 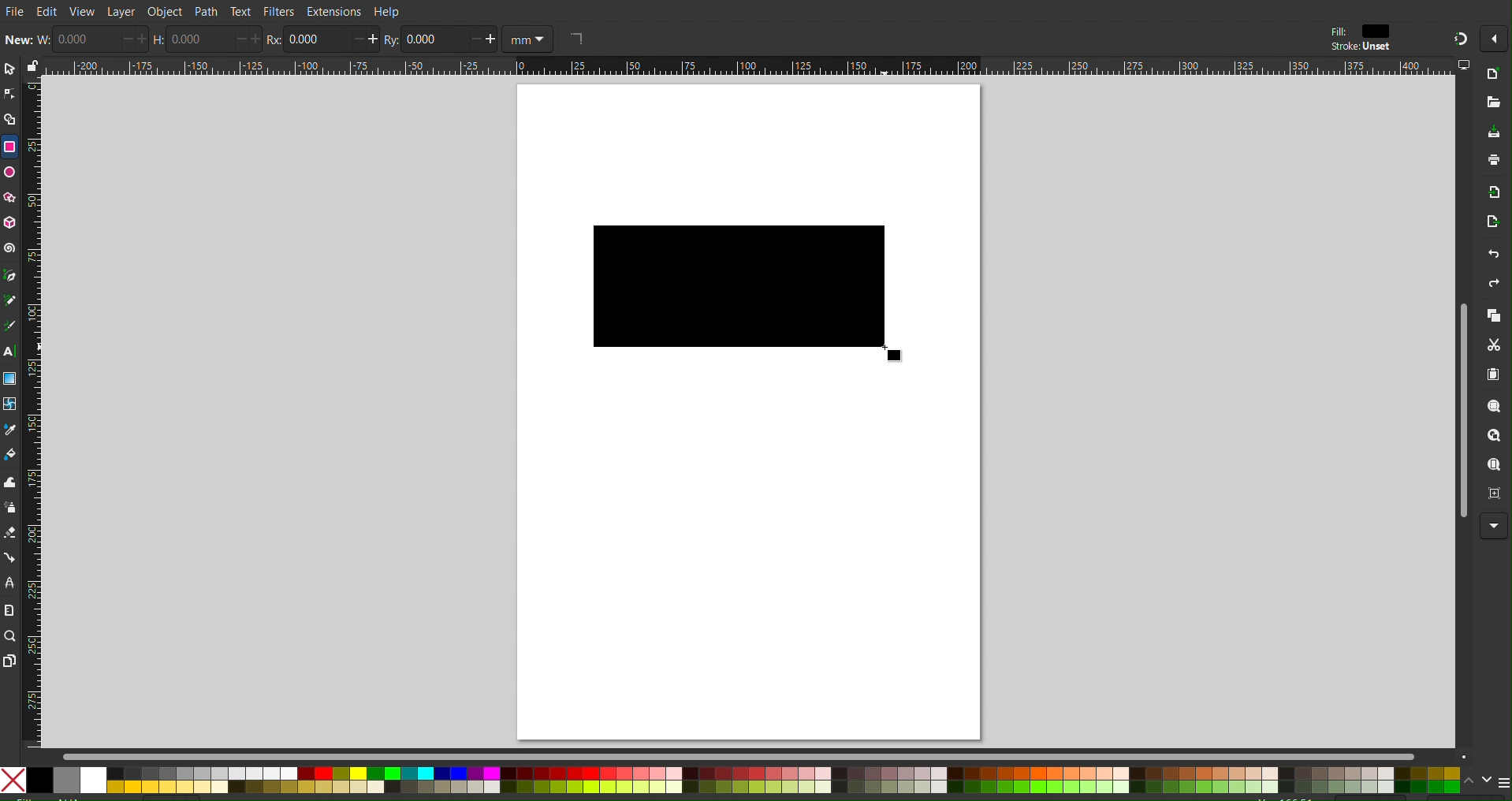 I want to click on View, so click(x=84, y=12).